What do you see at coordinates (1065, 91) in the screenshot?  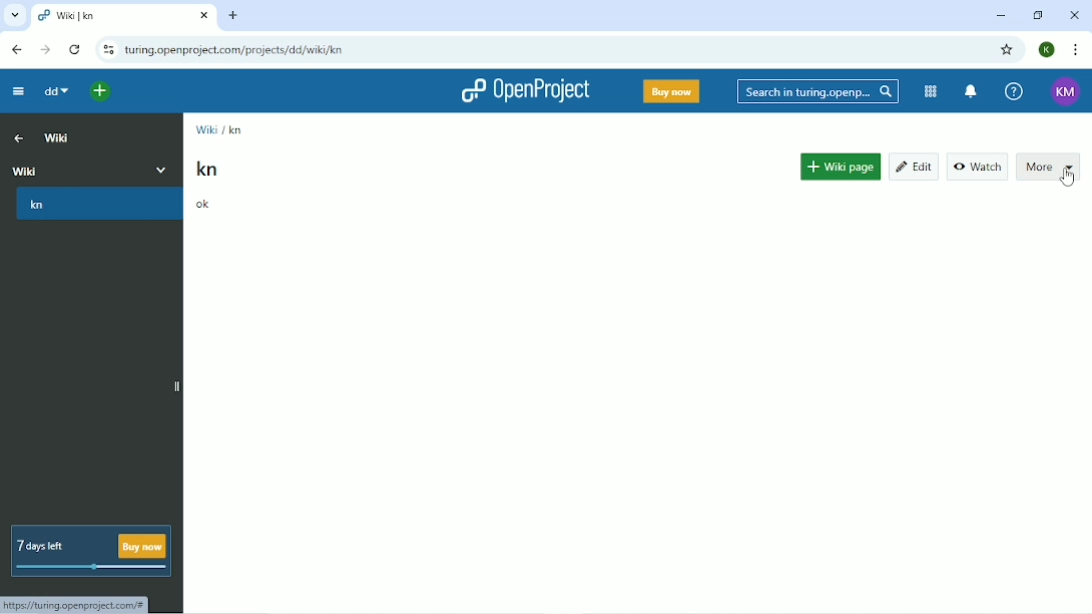 I see `Account` at bounding box center [1065, 91].